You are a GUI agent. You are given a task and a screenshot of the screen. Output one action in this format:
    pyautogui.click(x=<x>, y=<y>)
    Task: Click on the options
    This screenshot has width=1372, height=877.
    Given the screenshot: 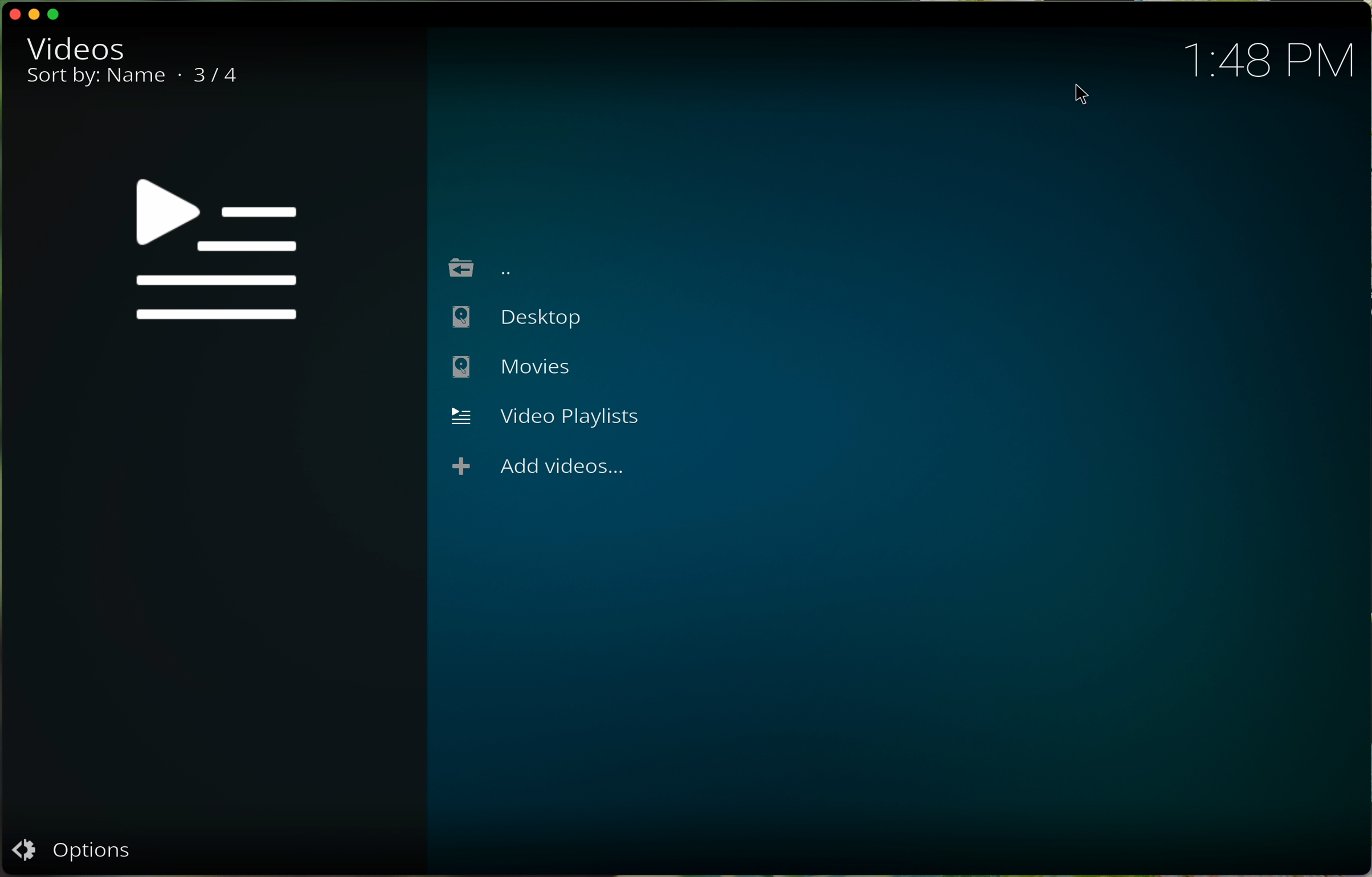 What is the action you would take?
    pyautogui.click(x=83, y=847)
    